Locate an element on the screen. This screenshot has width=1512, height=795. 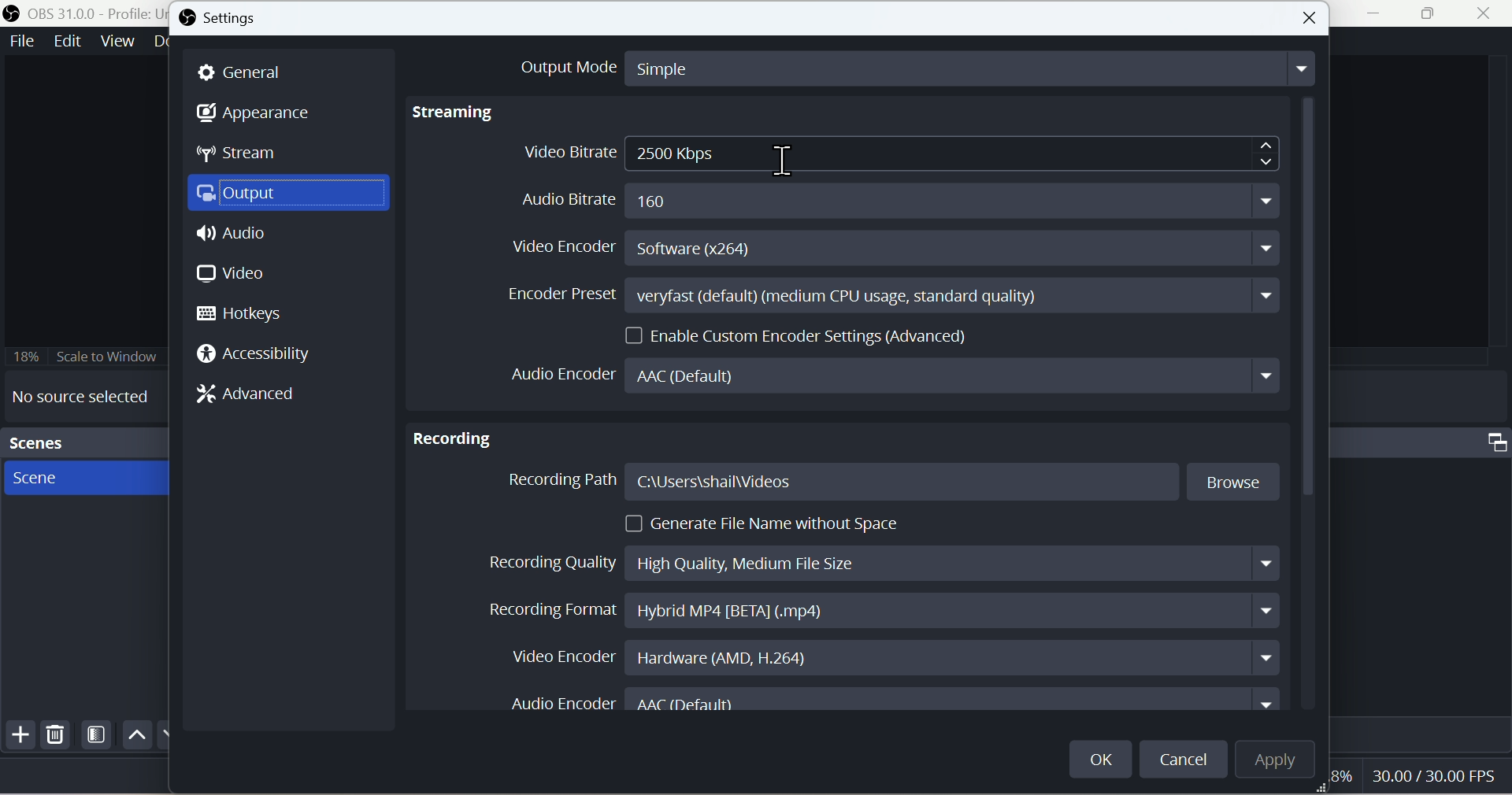
Accessi bility is located at coordinates (263, 357).